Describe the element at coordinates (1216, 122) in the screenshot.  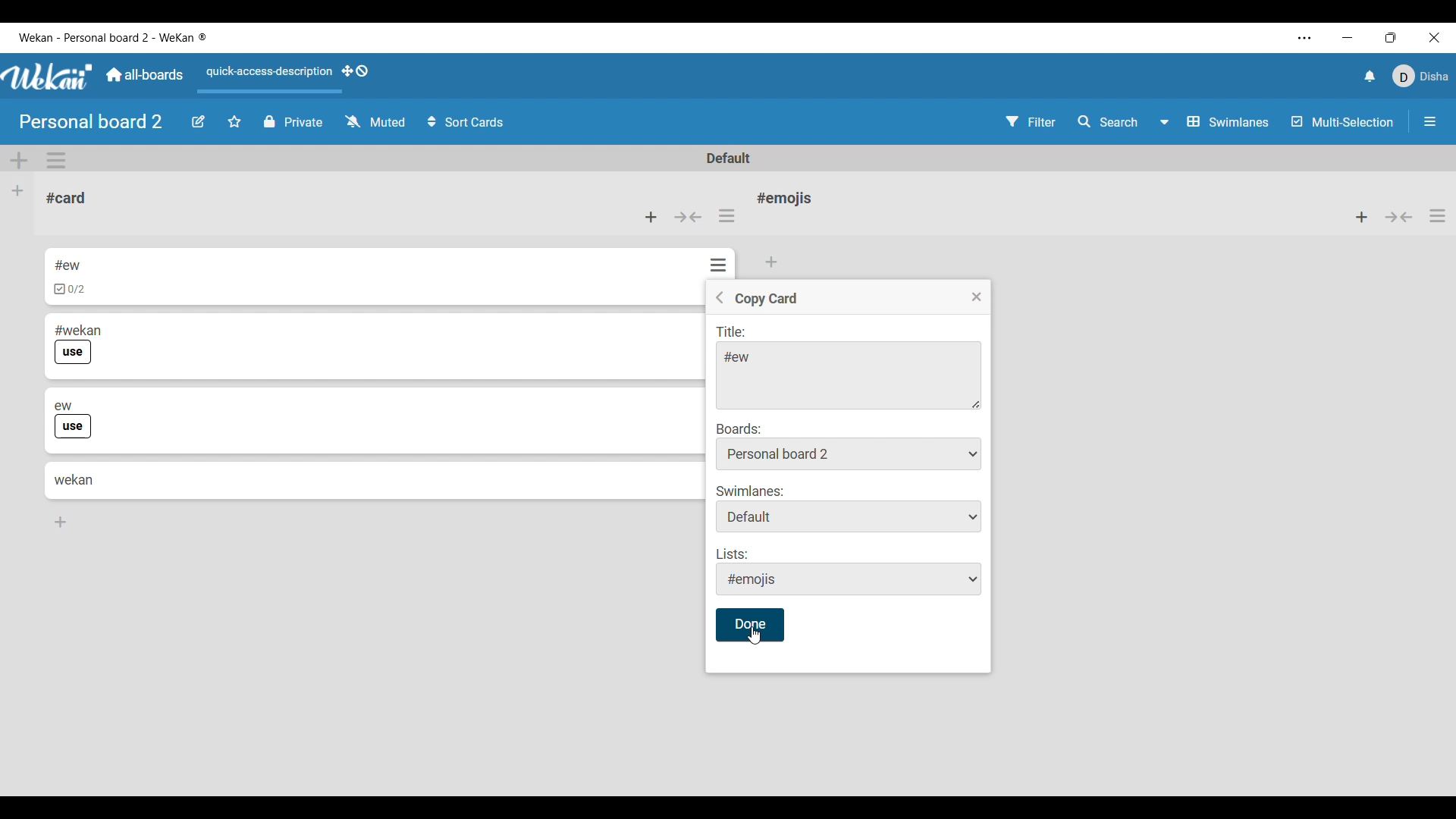
I see `Swimlane and other board view options` at that location.